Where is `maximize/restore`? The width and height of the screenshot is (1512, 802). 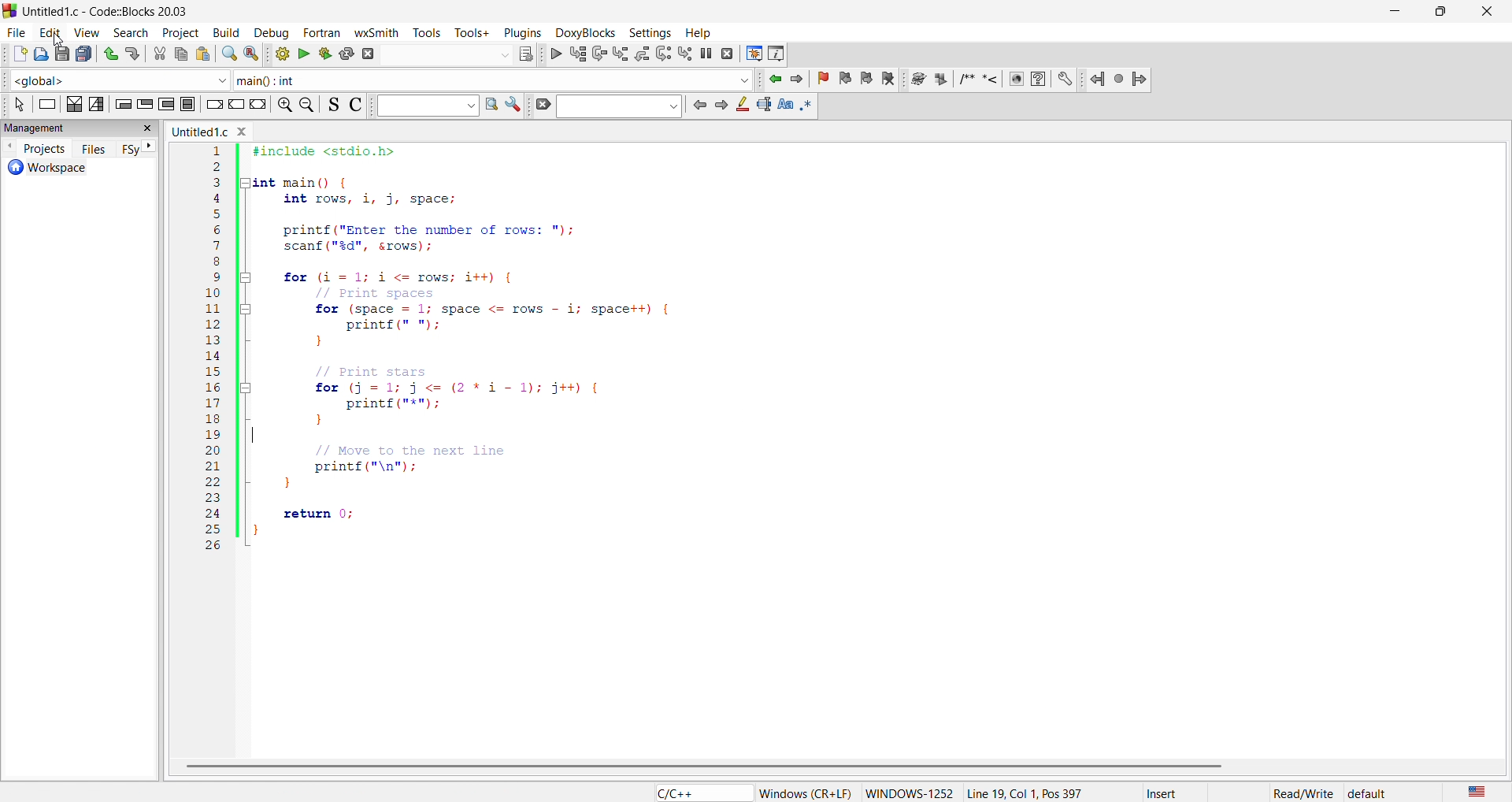 maximize/restore is located at coordinates (1439, 11).